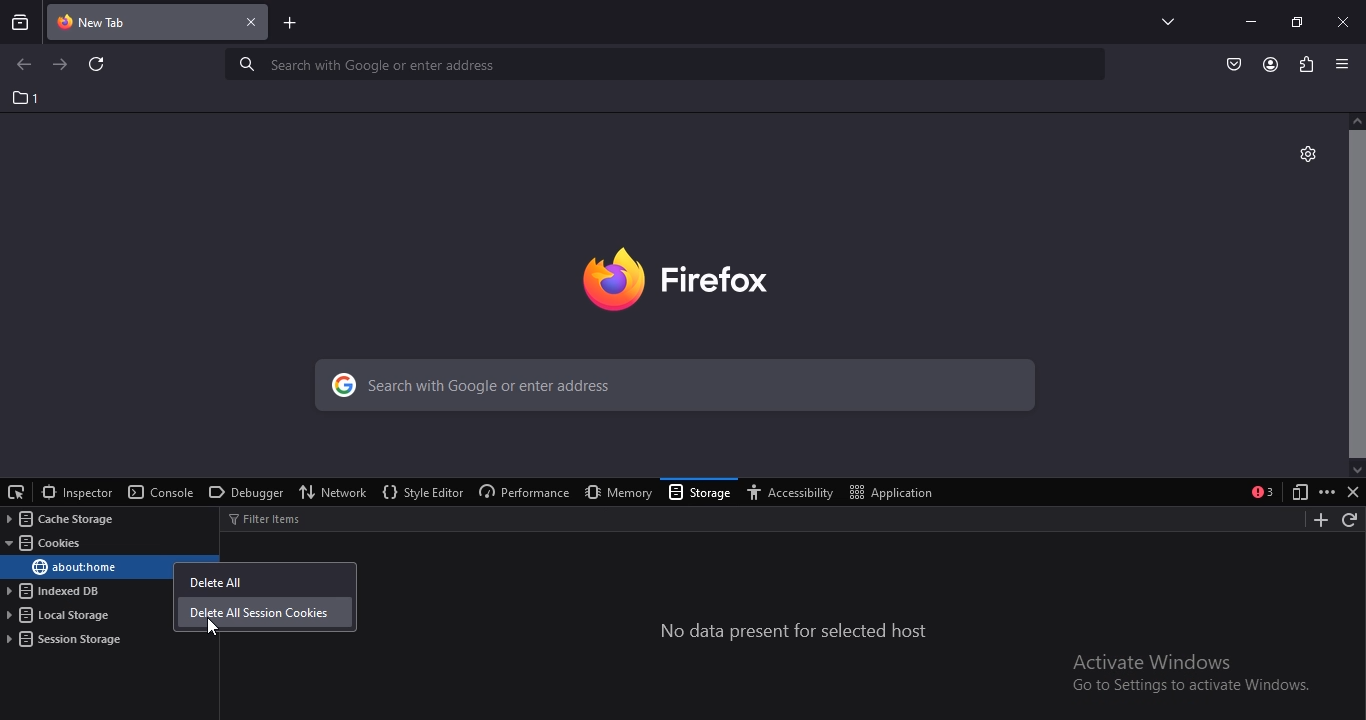  What do you see at coordinates (73, 567) in the screenshot?
I see `about:home` at bounding box center [73, 567].